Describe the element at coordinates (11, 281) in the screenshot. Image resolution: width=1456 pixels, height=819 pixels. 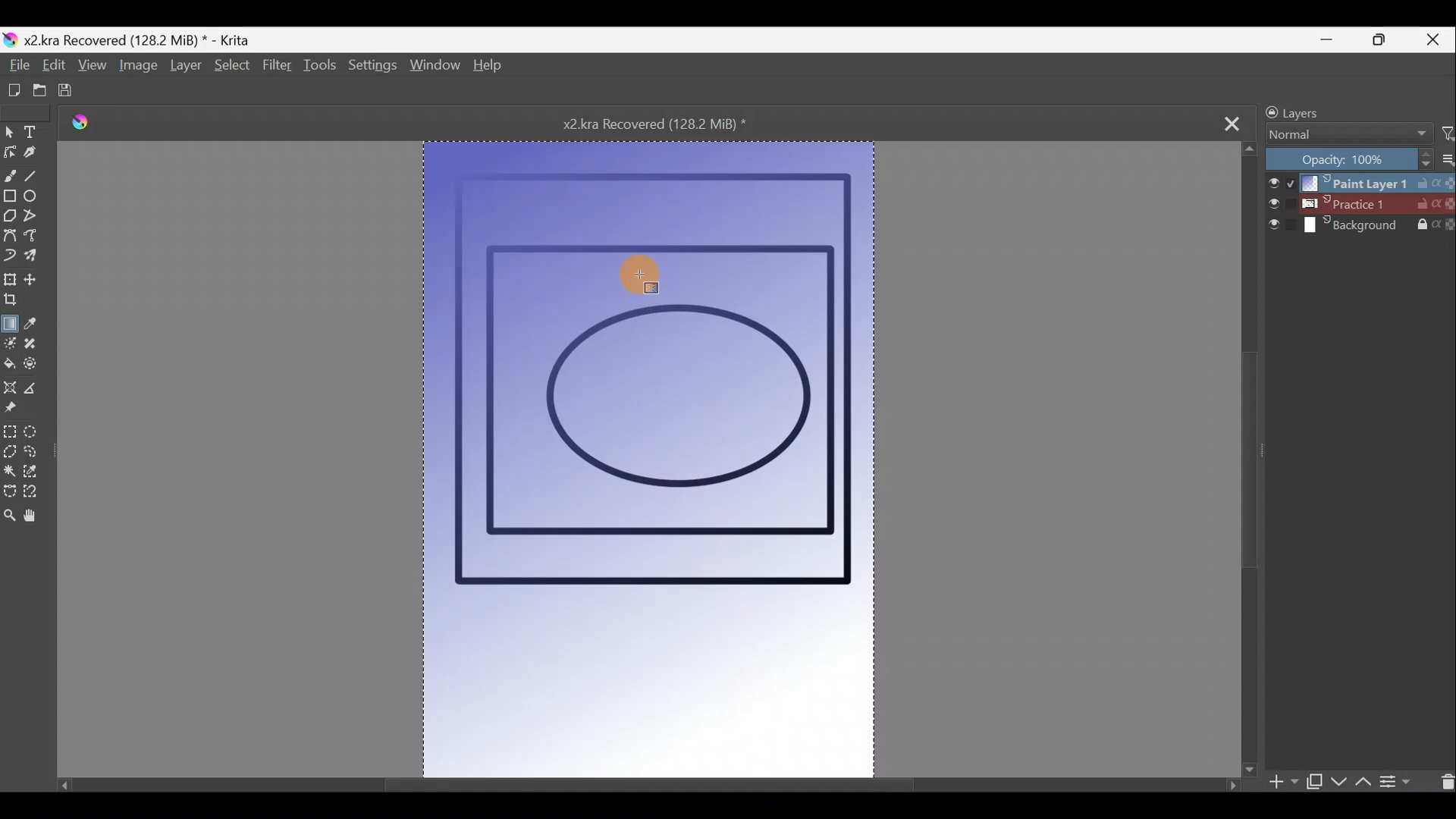
I see `Transform a layer/selection` at that location.